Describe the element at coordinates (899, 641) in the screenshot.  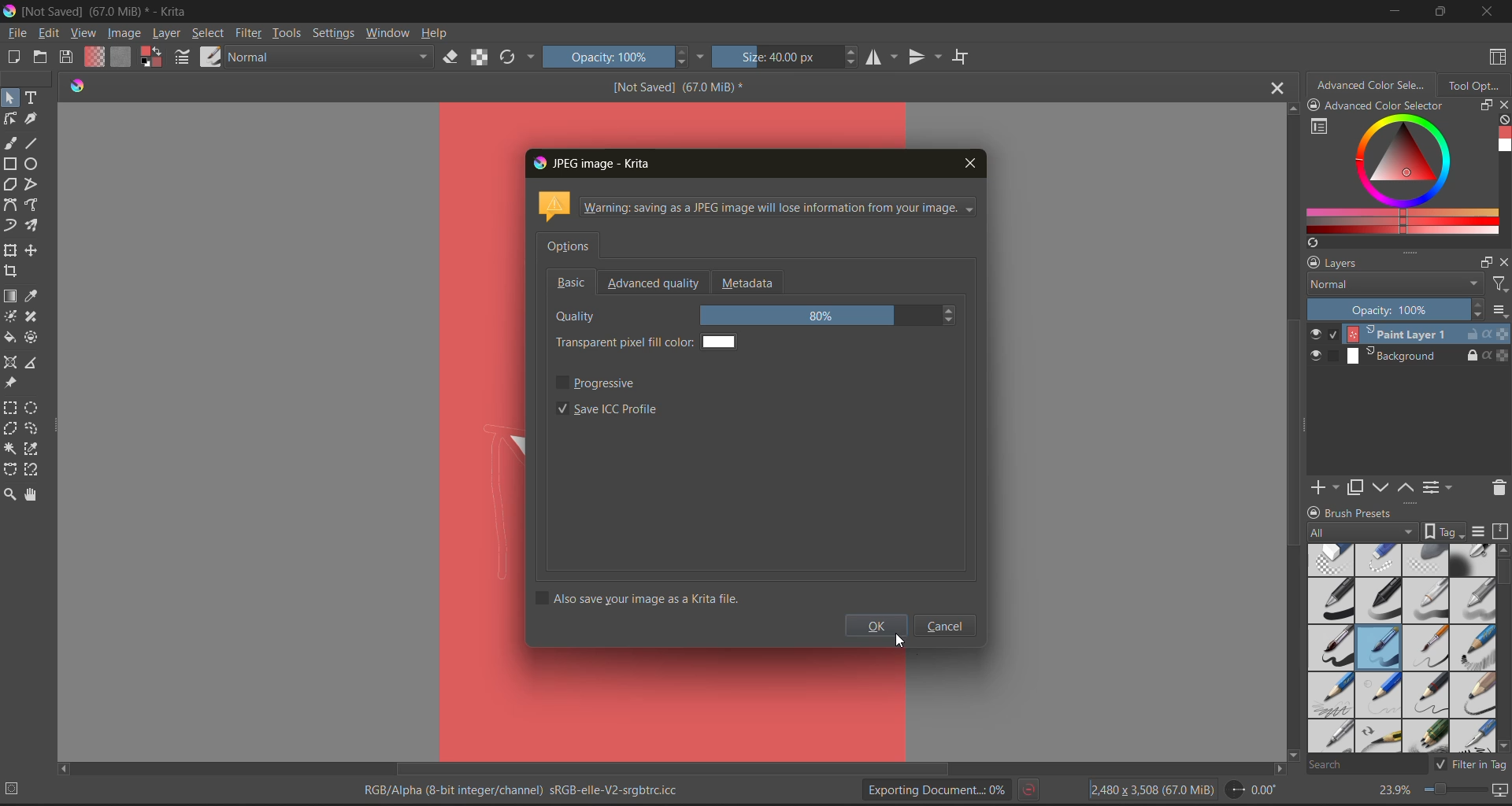
I see `Cursor` at that location.